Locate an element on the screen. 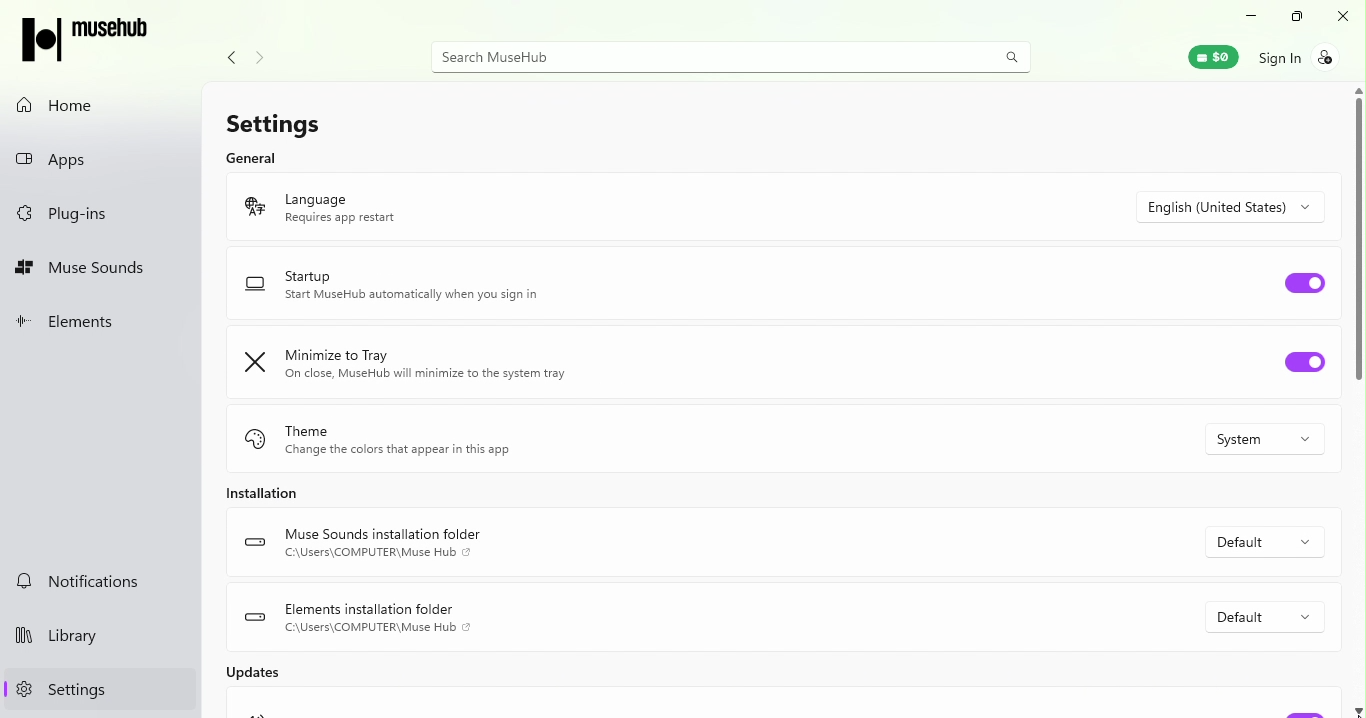  Muse sounds is located at coordinates (87, 269).